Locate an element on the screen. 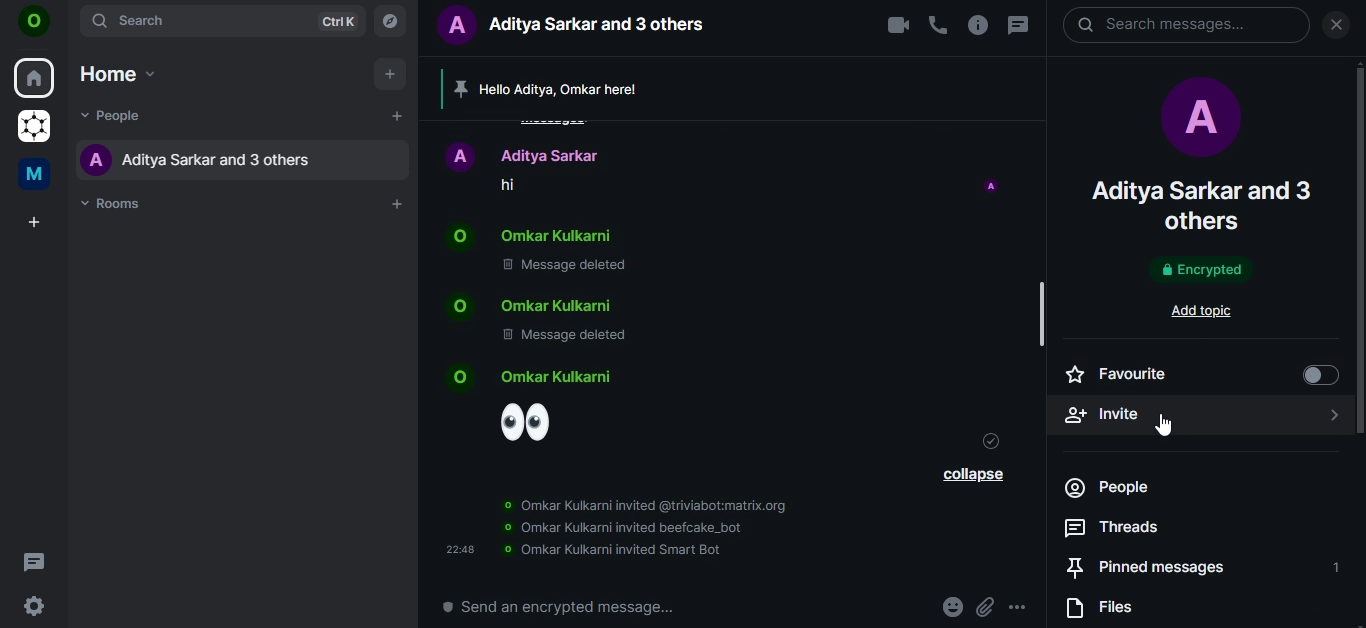  collapse is located at coordinates (972, 476).